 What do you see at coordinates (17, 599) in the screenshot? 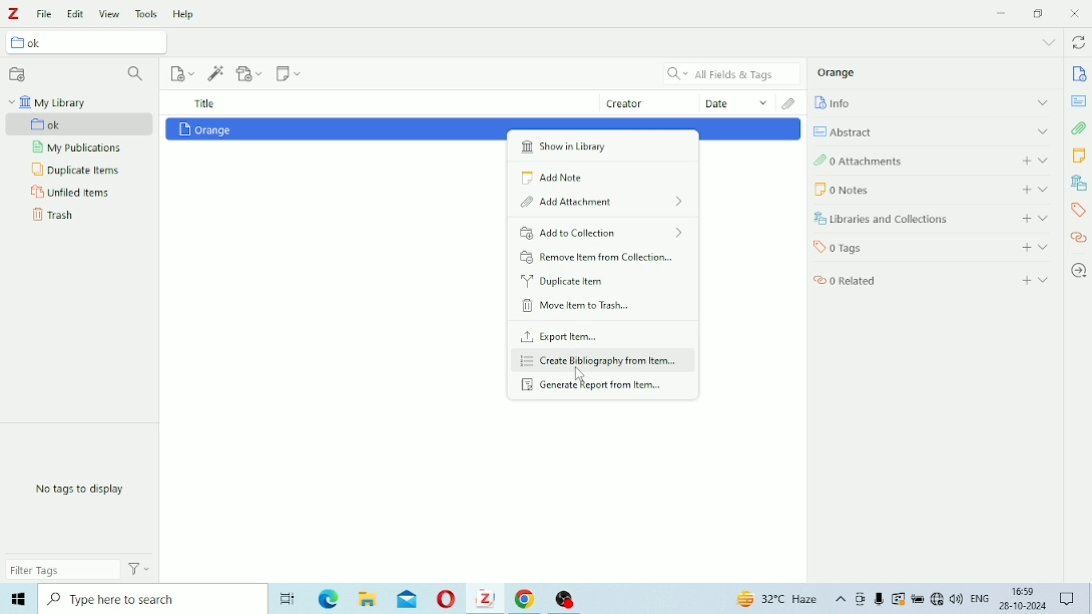
I see `Microsoft Edge` at bounding box center [17, 599].